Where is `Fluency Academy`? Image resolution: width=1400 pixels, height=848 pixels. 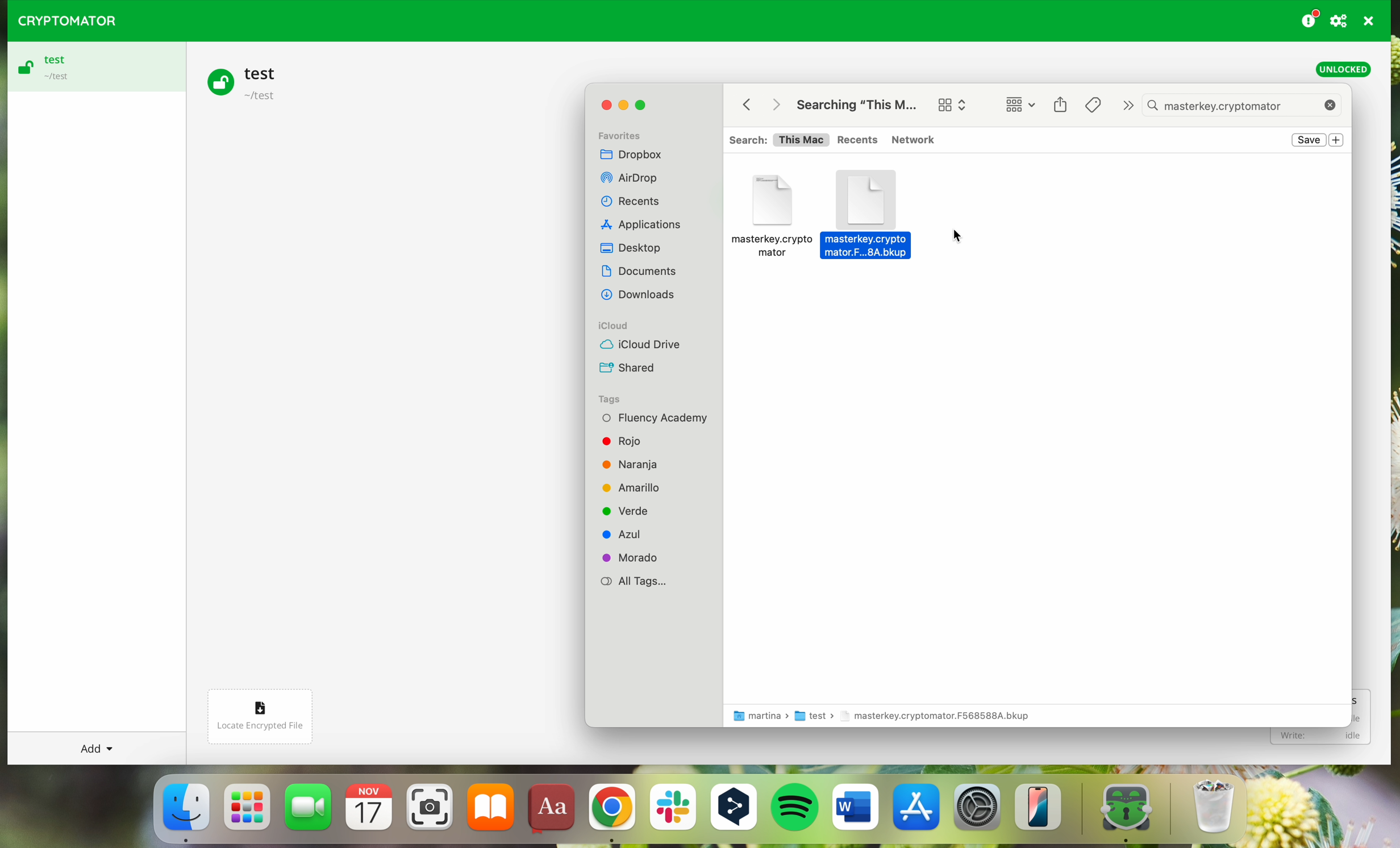 Fluency Academy is located at coordinates (656, 418).